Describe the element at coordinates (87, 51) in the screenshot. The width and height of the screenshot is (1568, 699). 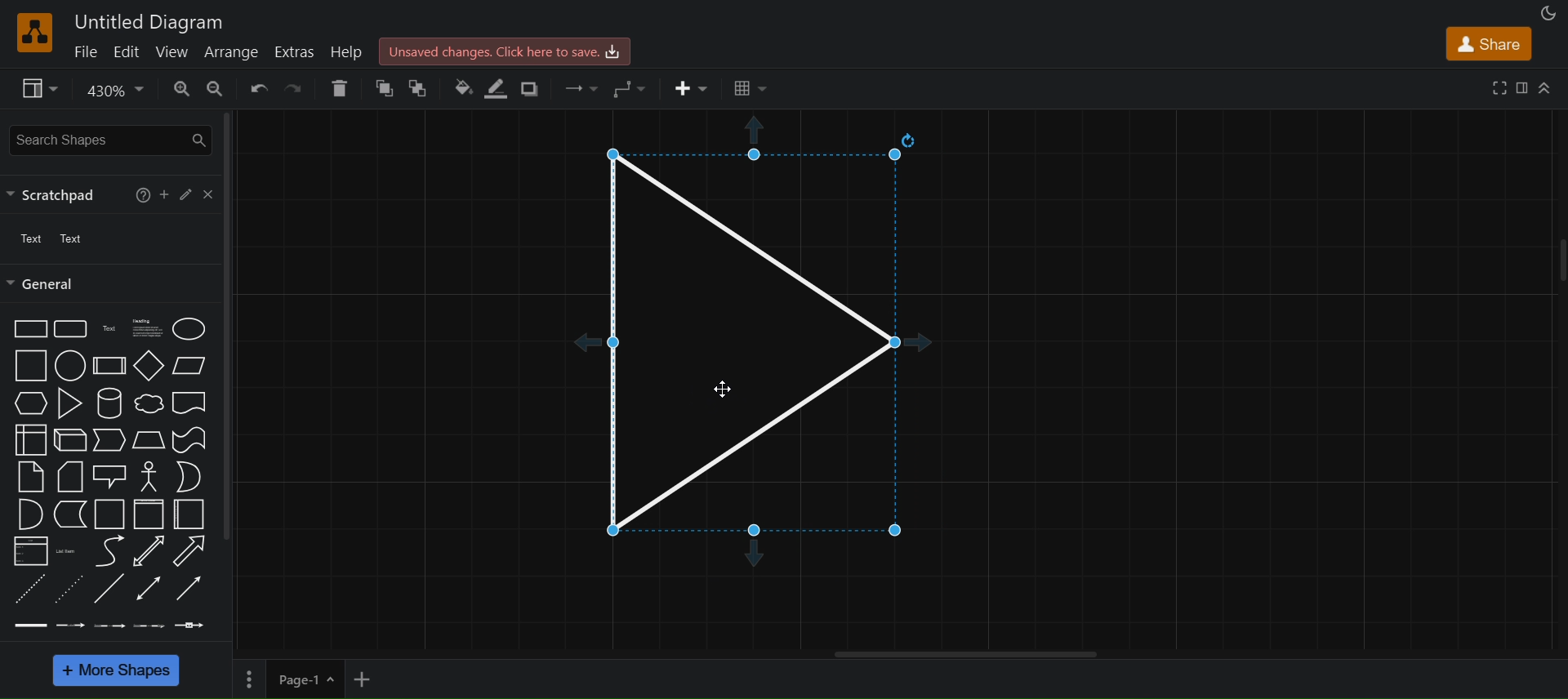
I see `file` at that location.